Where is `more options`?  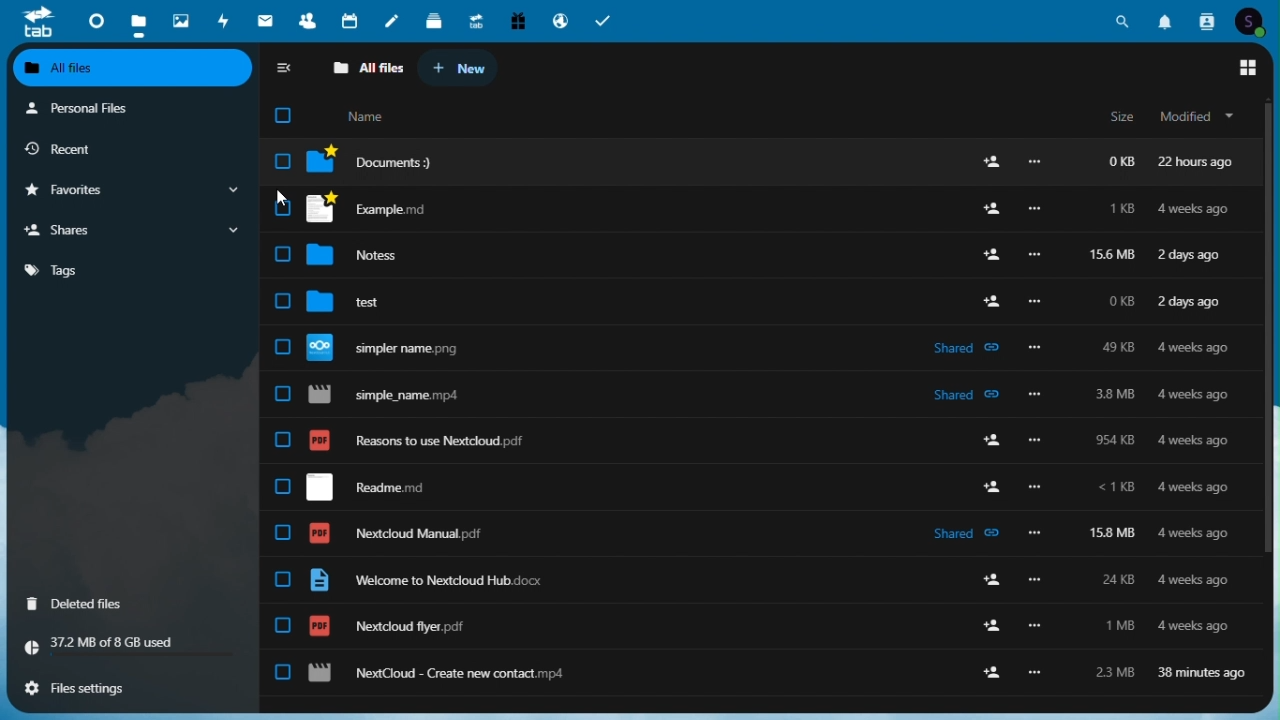 more options is located at coordinates (1034, 210).